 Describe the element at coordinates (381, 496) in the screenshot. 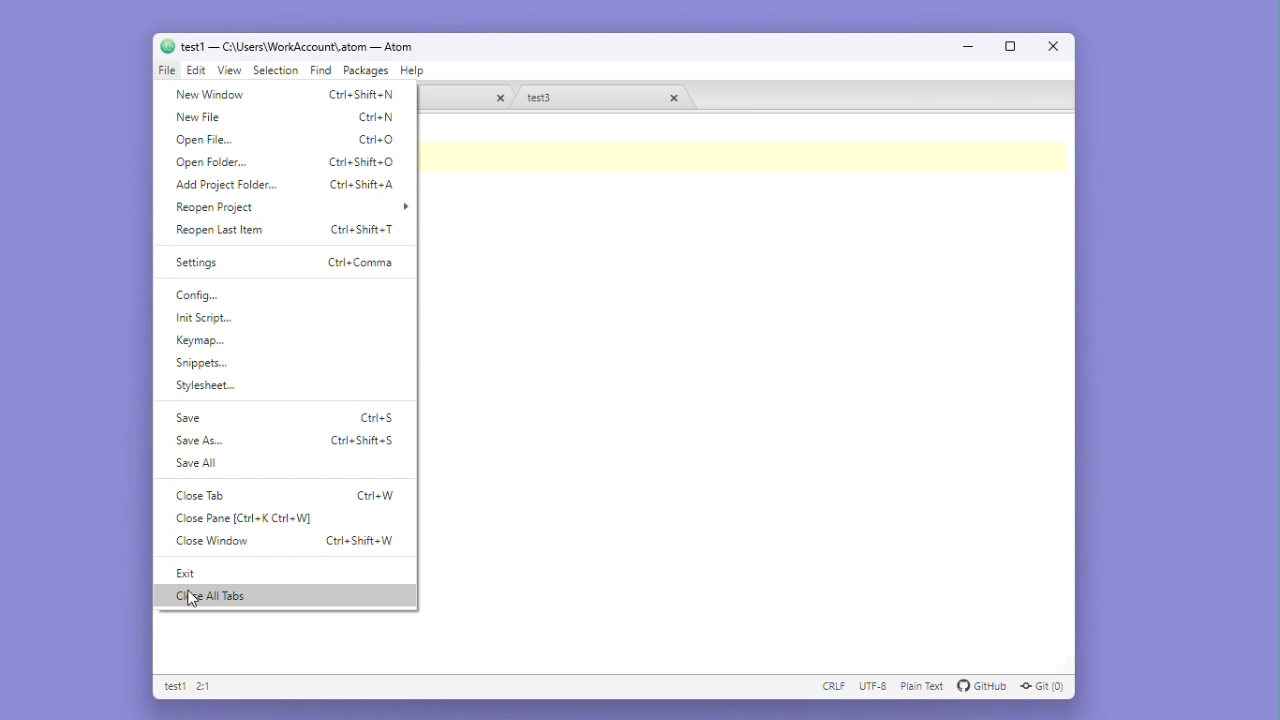

I see `ctrl+w` at that location.